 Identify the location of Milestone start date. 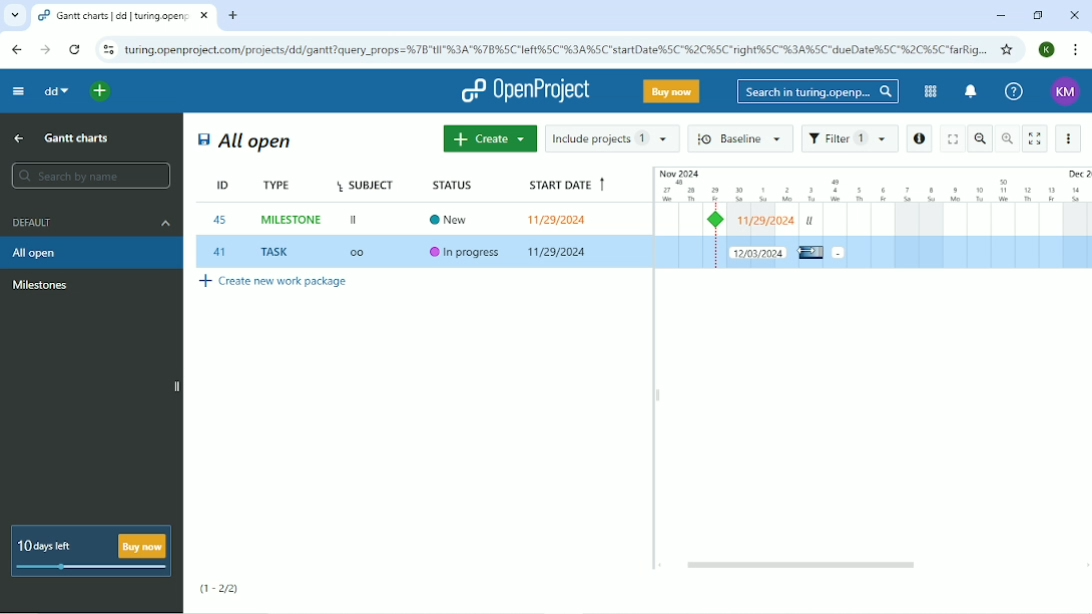
(767, 221).